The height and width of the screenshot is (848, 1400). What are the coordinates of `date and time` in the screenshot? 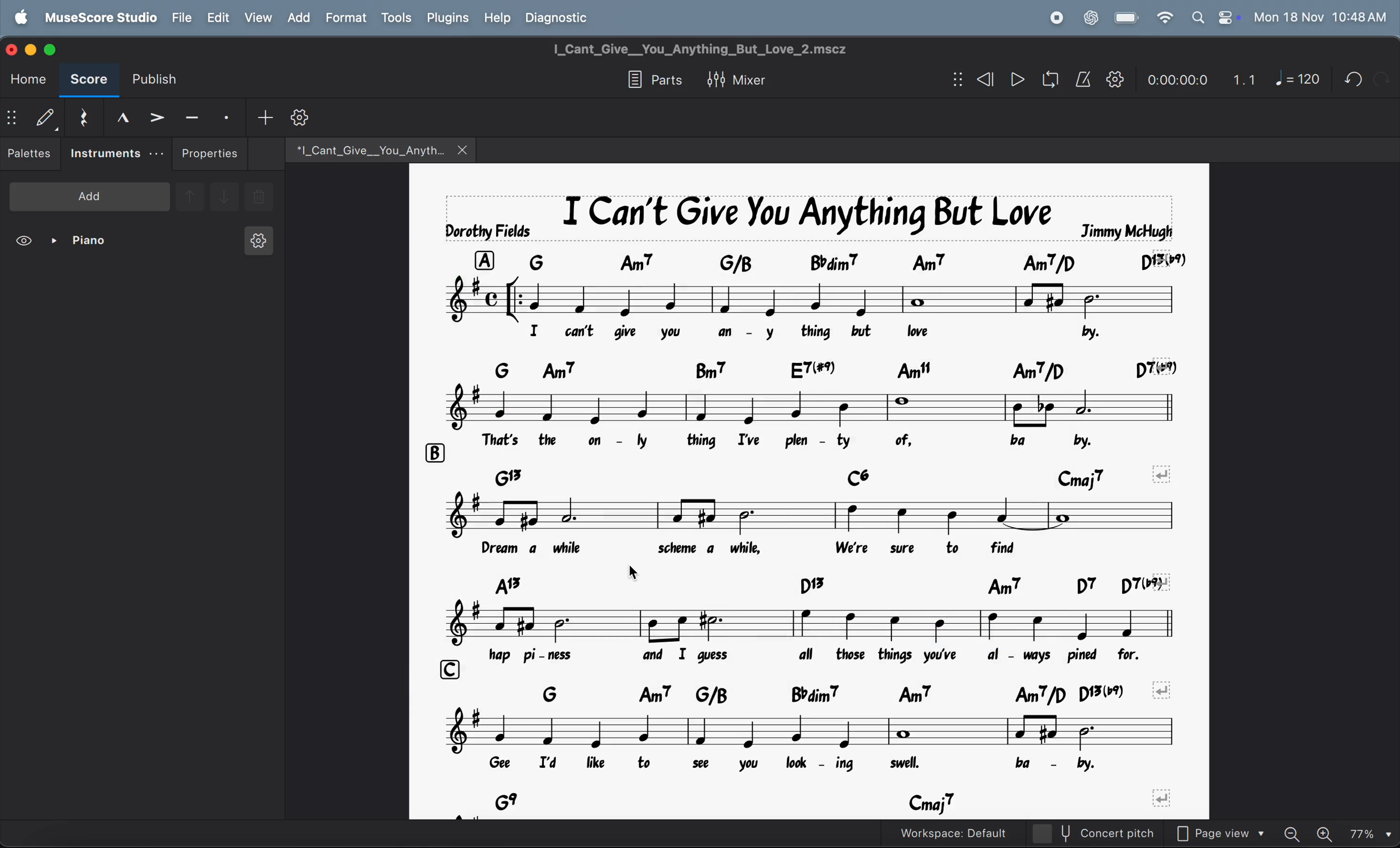 It's located at (1320, 16).